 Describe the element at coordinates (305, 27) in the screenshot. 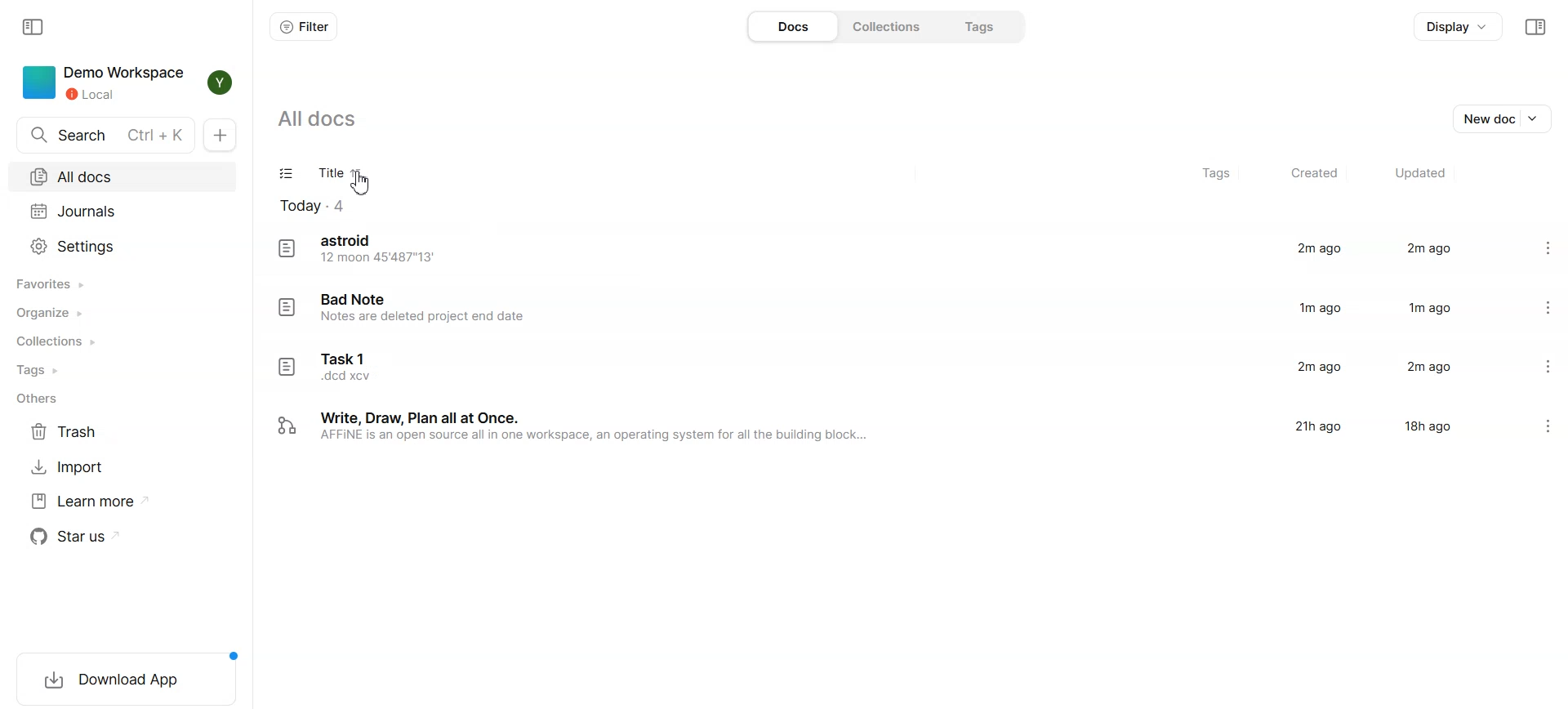

I see `Filter` at that location.